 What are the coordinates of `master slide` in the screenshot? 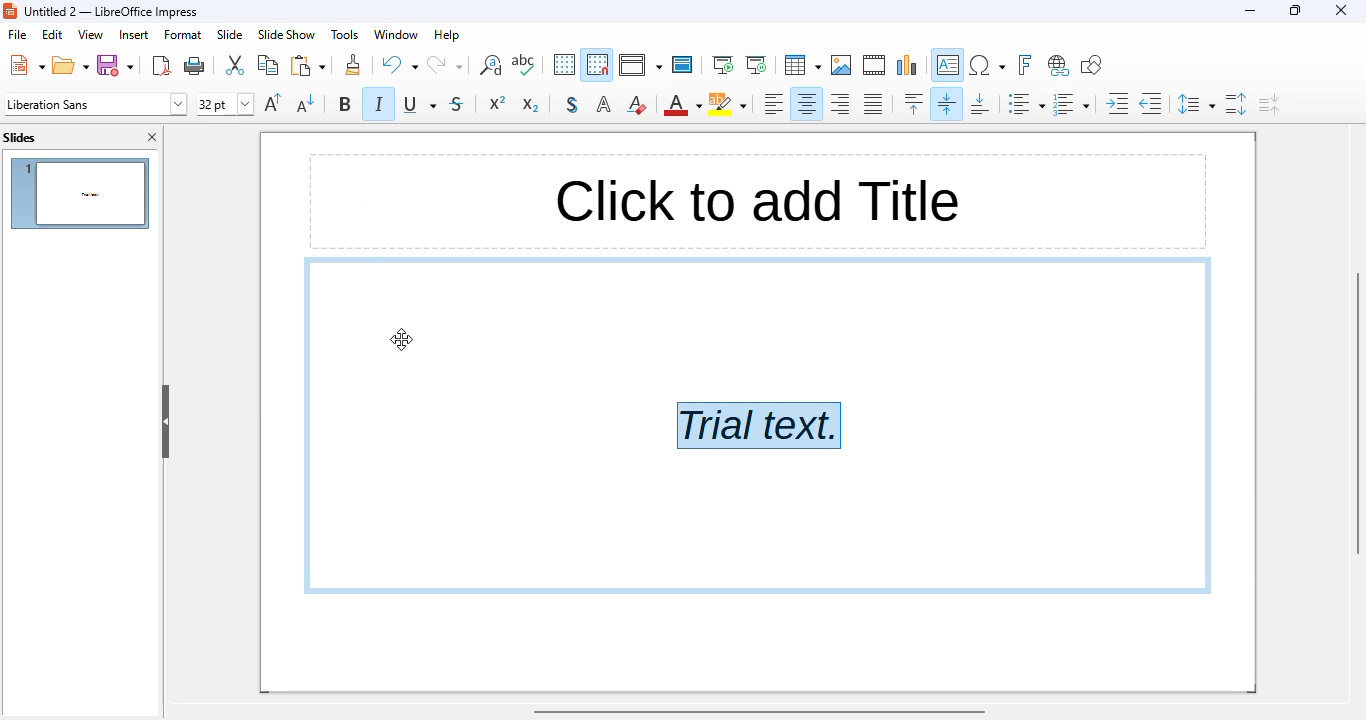 It's located at (682, 65).